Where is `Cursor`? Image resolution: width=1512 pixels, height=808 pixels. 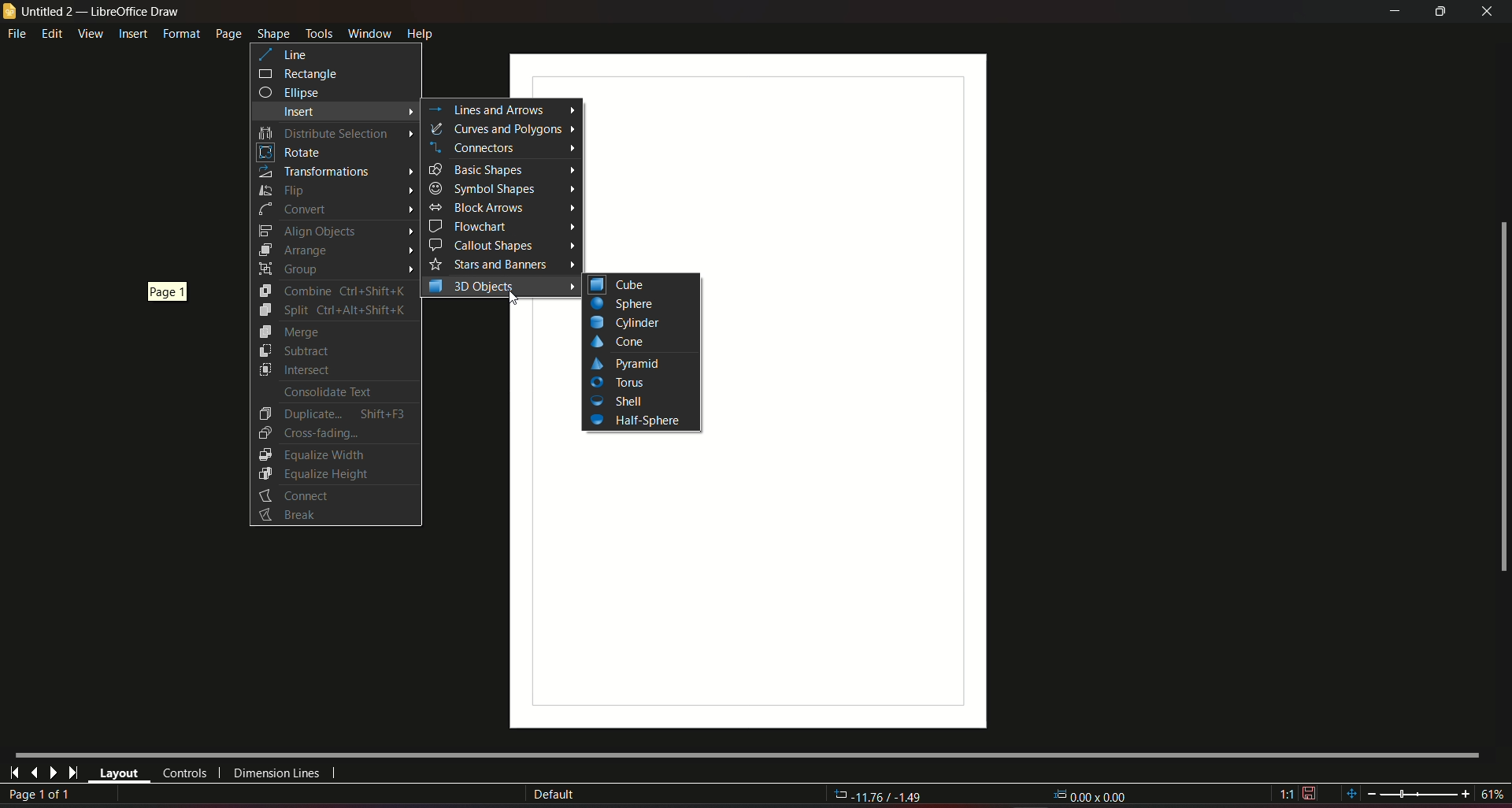 Cursor is located at coordinates (514, 300).